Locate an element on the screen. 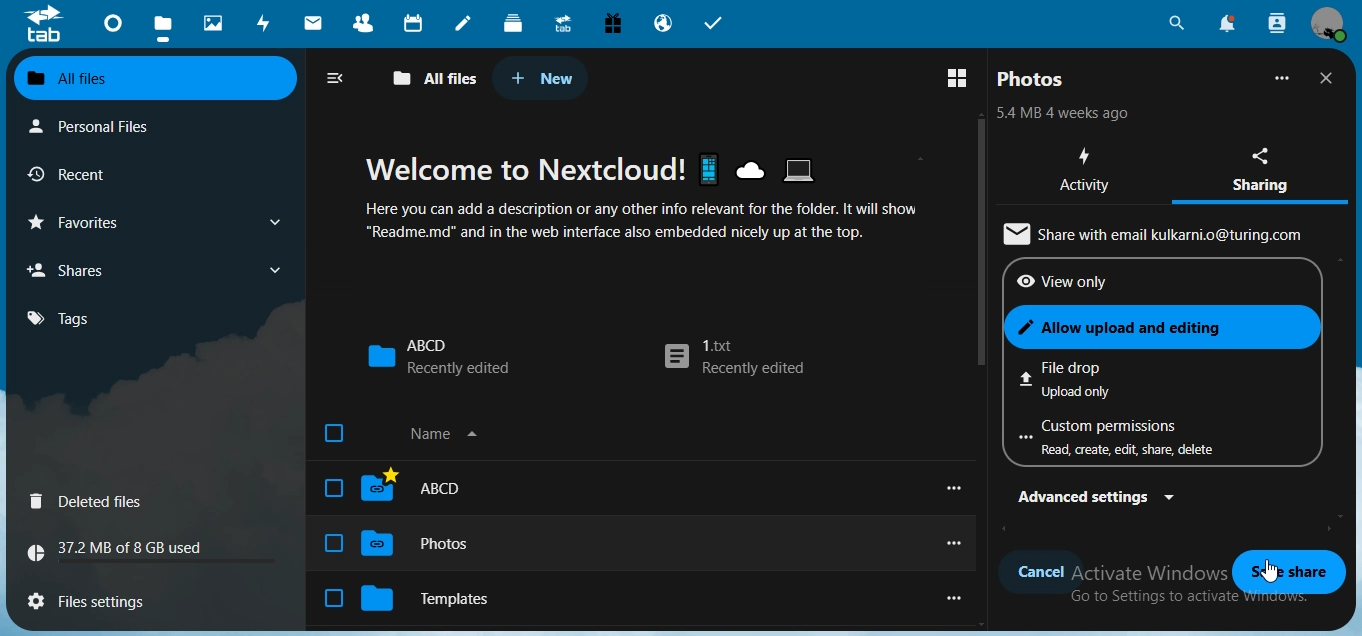 The width and height of the screenshot is (1362, 636). view profile is located at coordinates (1328, 24).